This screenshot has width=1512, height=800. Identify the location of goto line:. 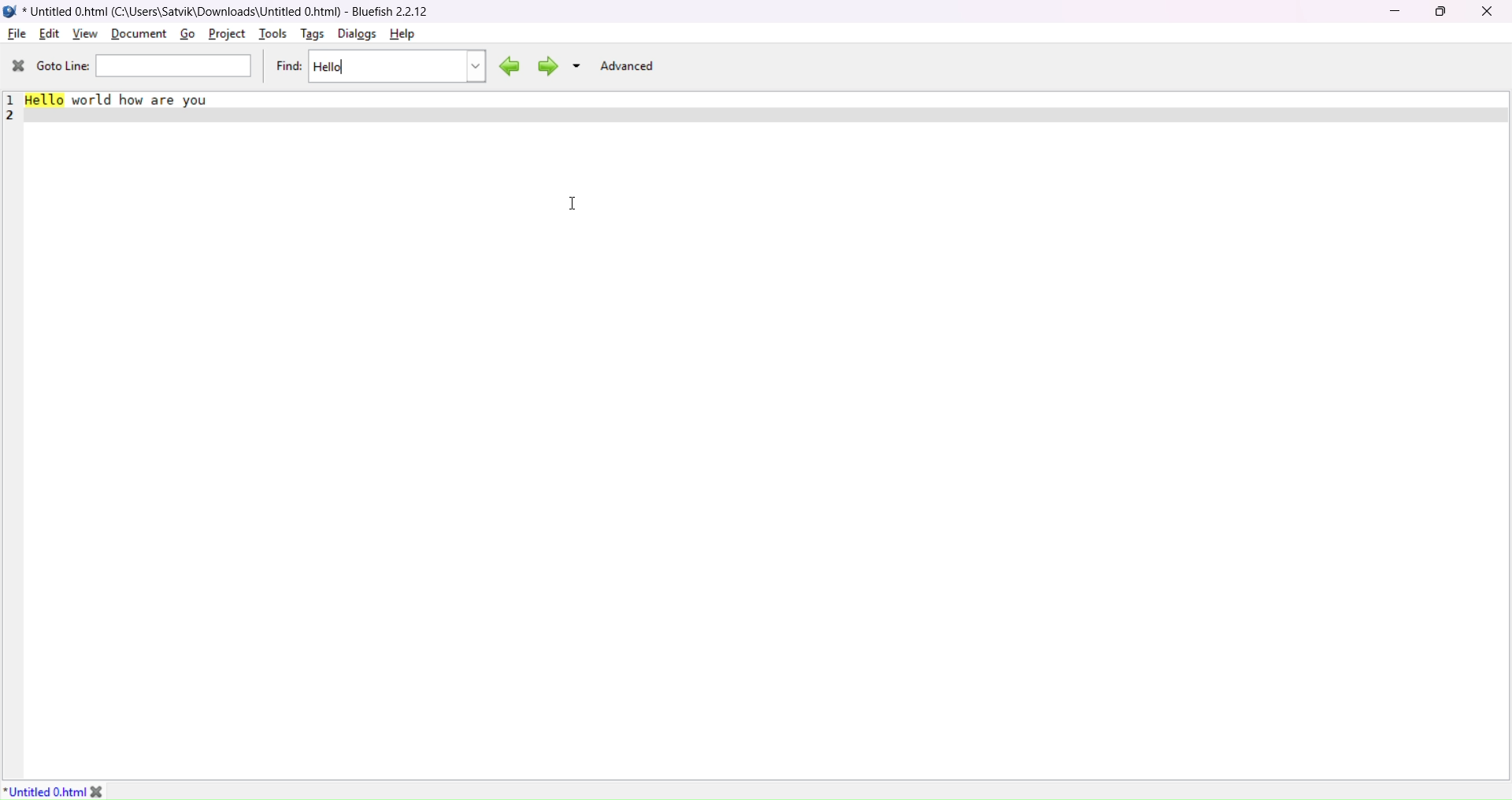
(64, 67).